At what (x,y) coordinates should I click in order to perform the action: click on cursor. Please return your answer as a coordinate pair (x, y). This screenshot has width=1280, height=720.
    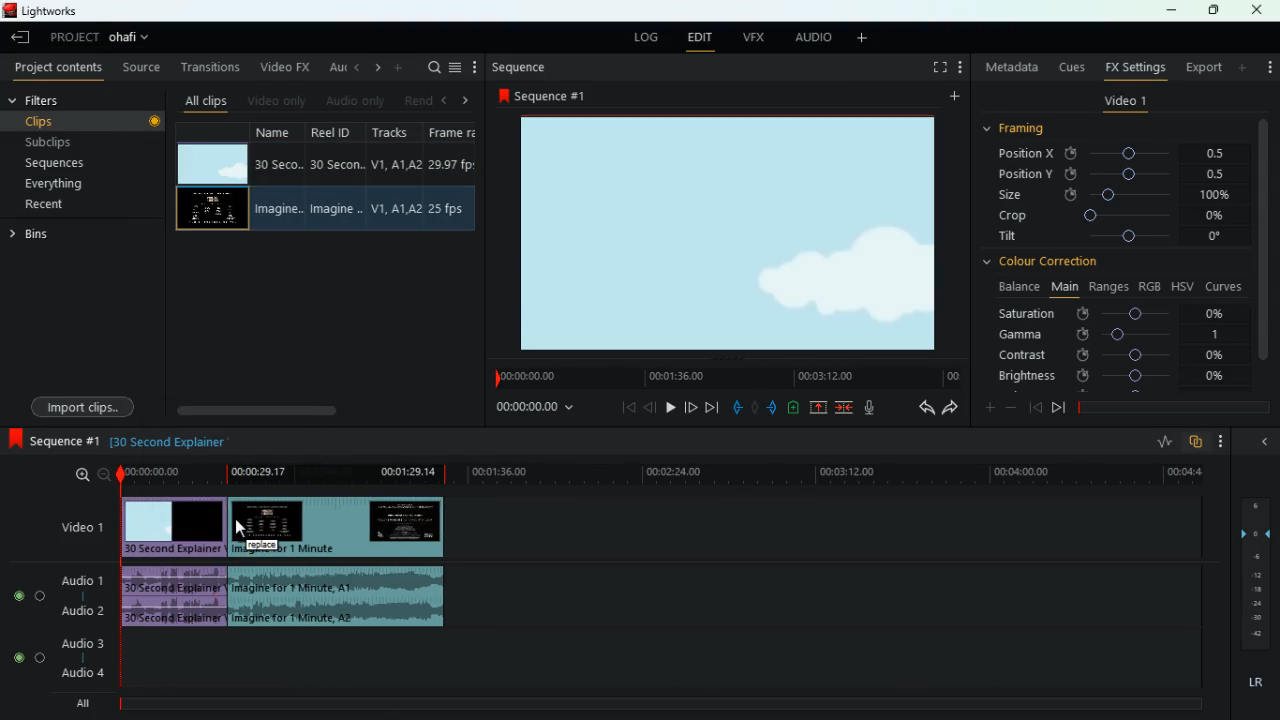
    Looking at the image, I should click on (240, 527).